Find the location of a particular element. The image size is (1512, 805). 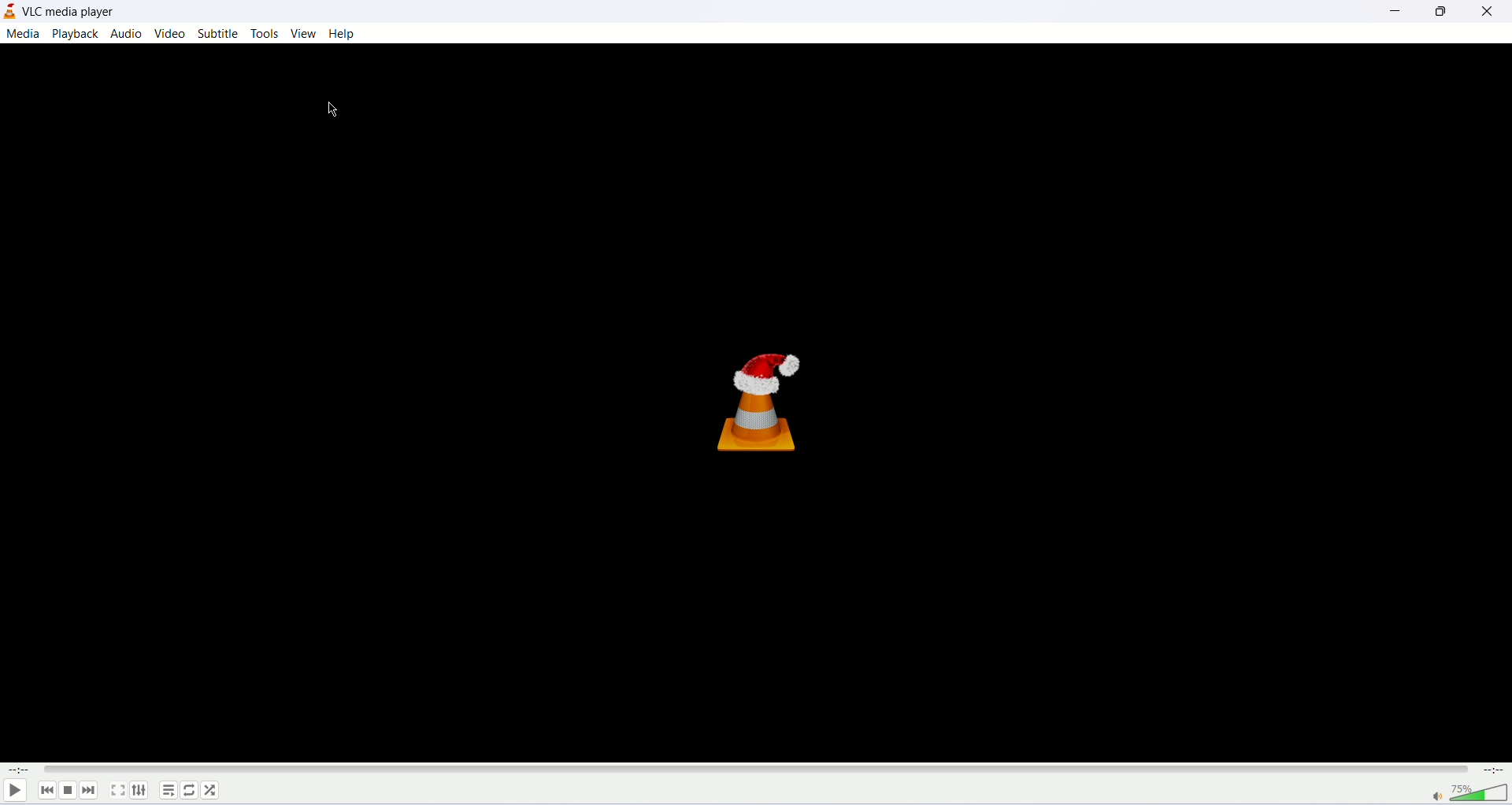

subtitle is located at coordinates (219, 33).